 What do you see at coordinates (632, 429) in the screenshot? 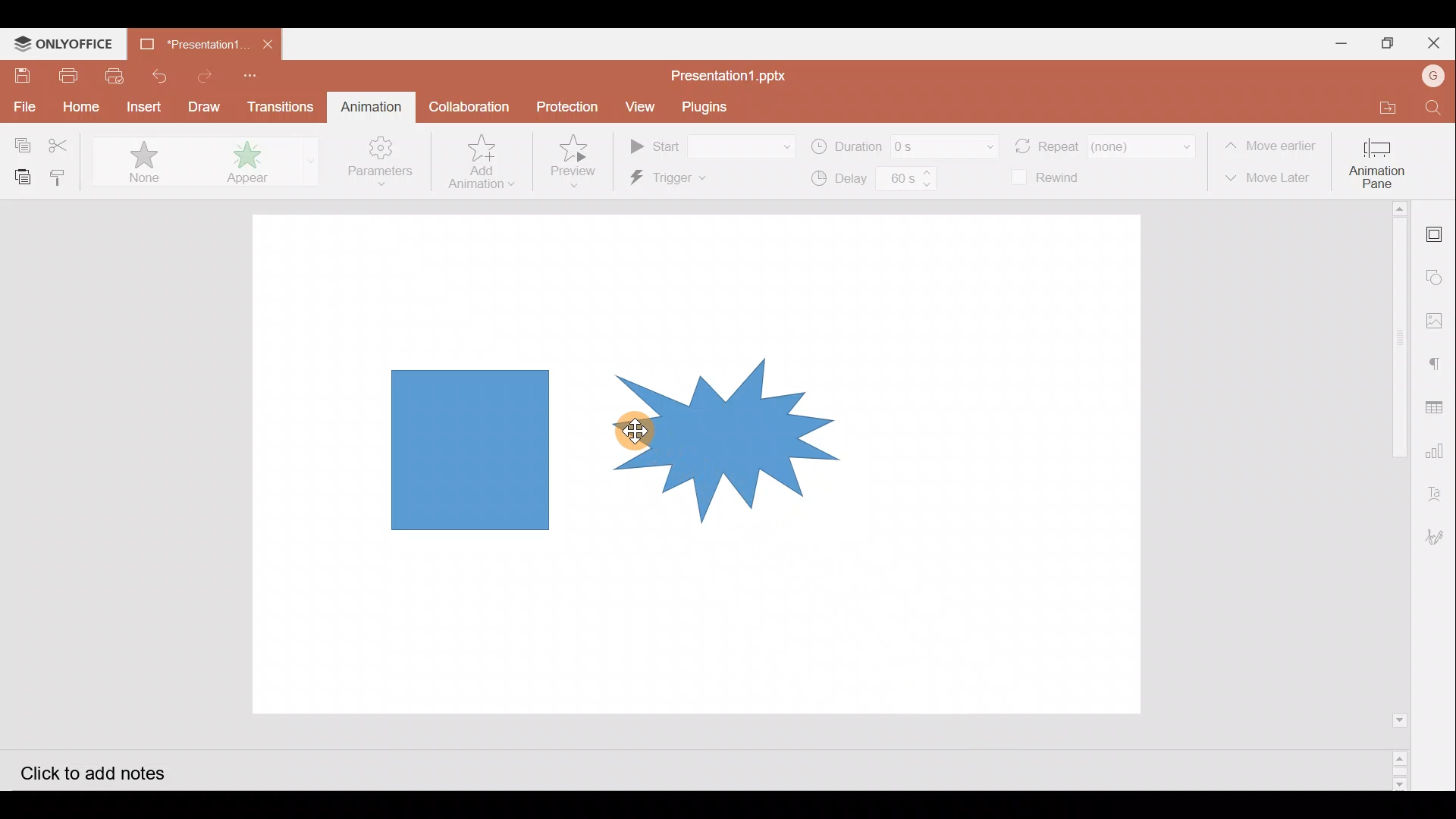
I see `Cursor on shape` at bounding box center [632, 429].